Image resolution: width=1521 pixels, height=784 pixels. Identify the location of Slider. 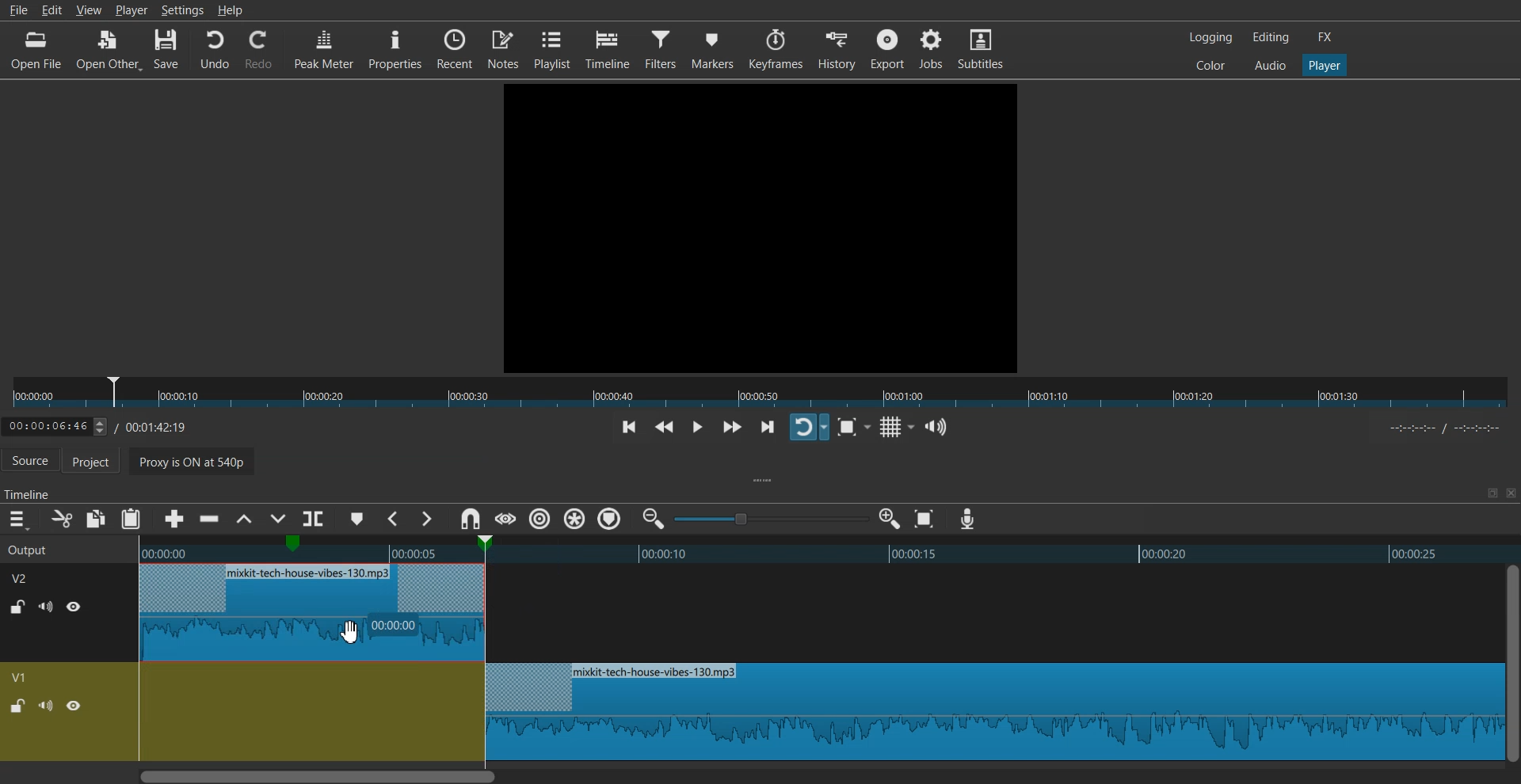
(760, 393).